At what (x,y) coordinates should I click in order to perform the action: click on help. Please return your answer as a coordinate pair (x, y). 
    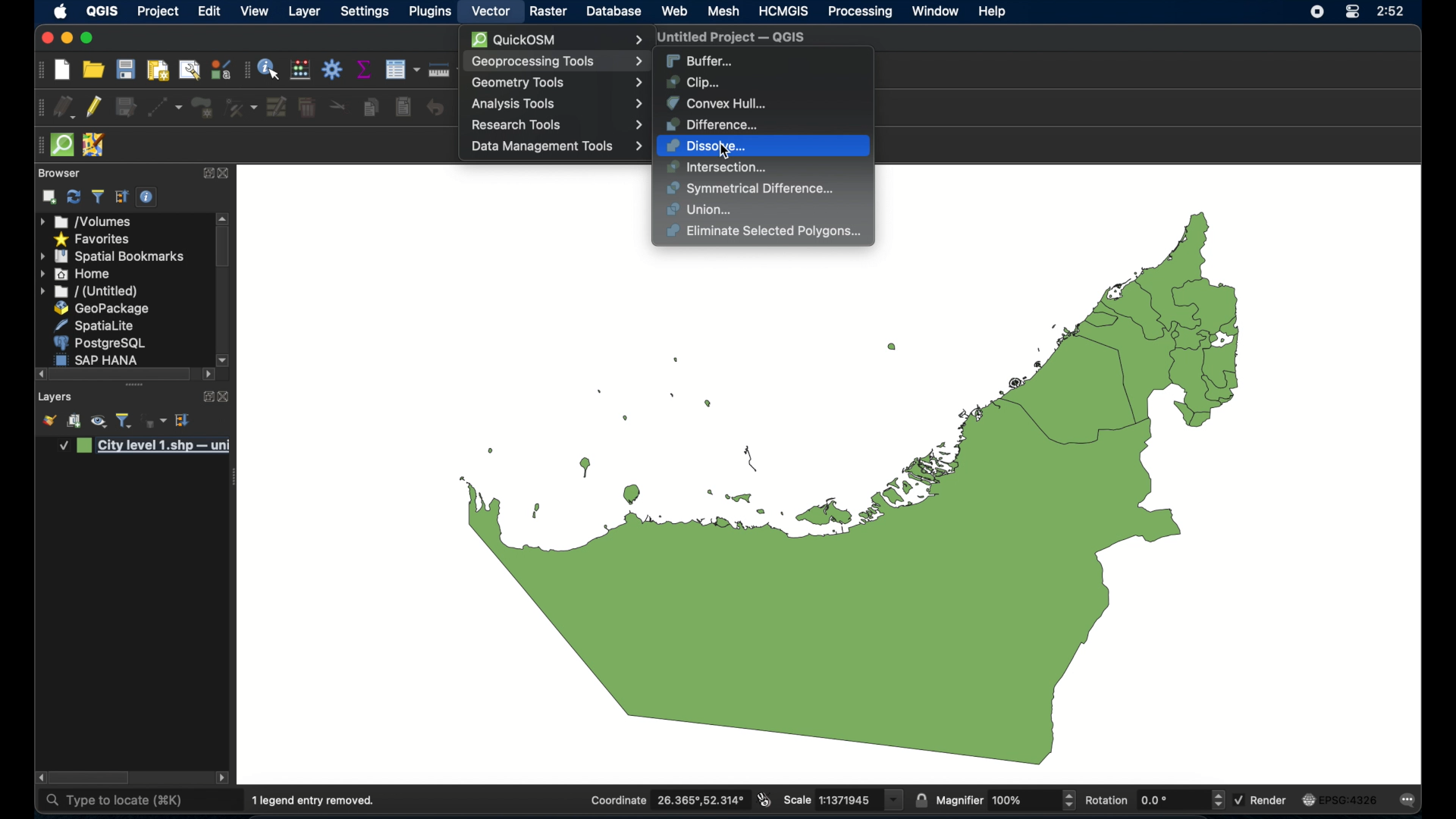
    Looking at the image, I should click on (994, 12).